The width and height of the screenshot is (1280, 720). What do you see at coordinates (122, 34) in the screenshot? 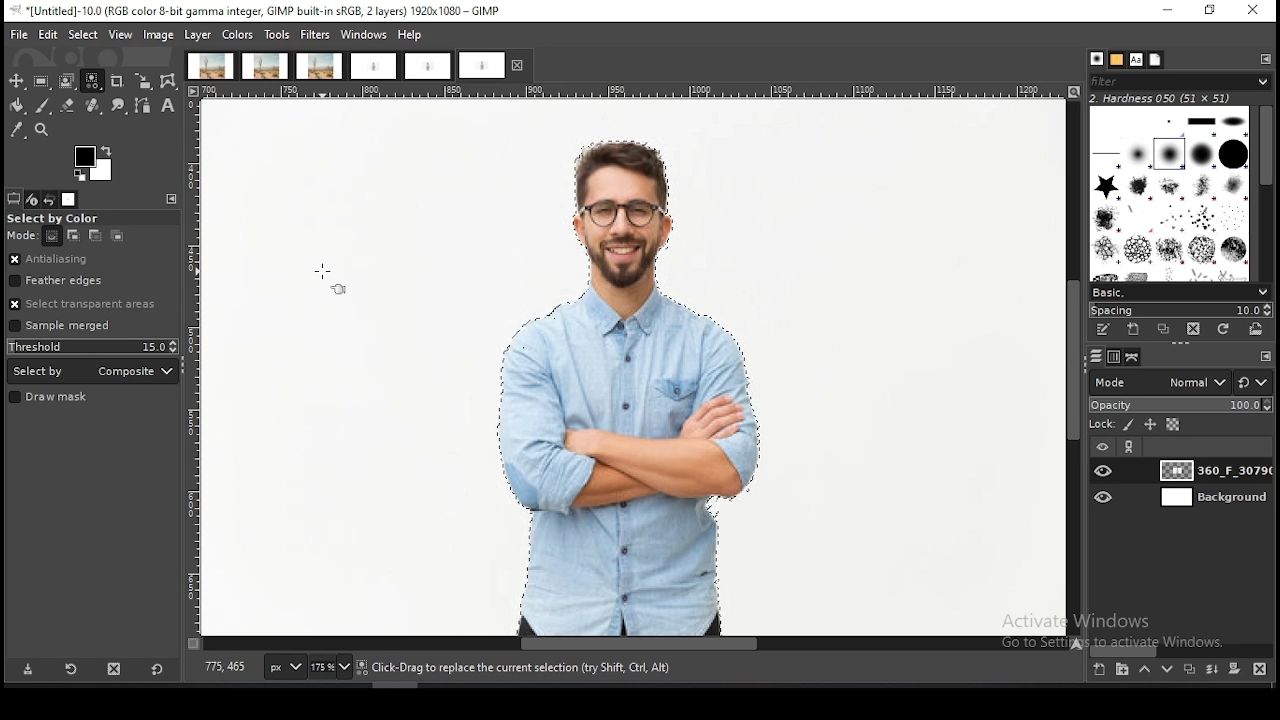
I see `view` at bounding box center [122, 34].